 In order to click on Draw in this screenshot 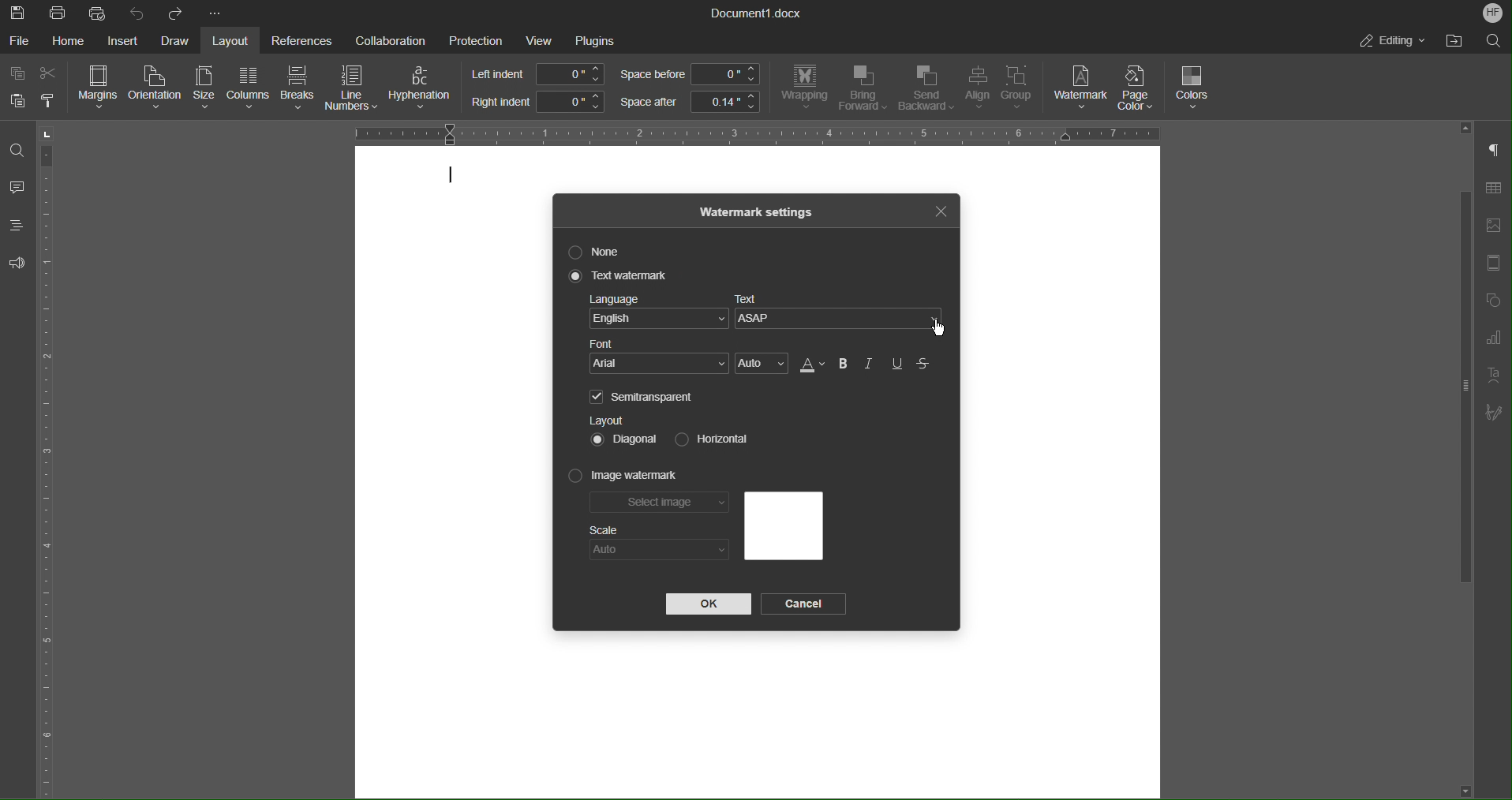, I will do `click(176, 41)`.